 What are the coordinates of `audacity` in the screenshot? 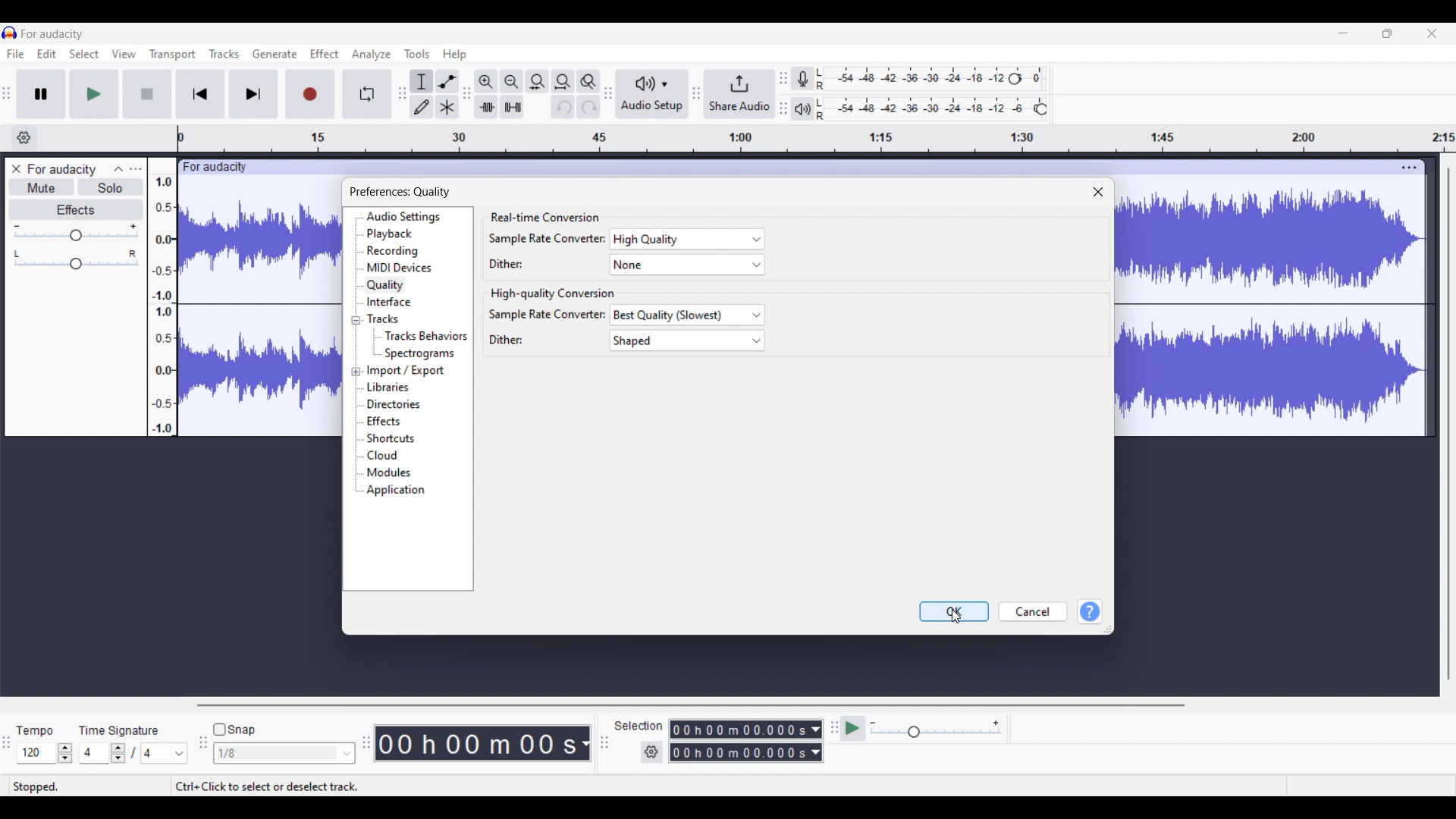 It's located at (212, 168).